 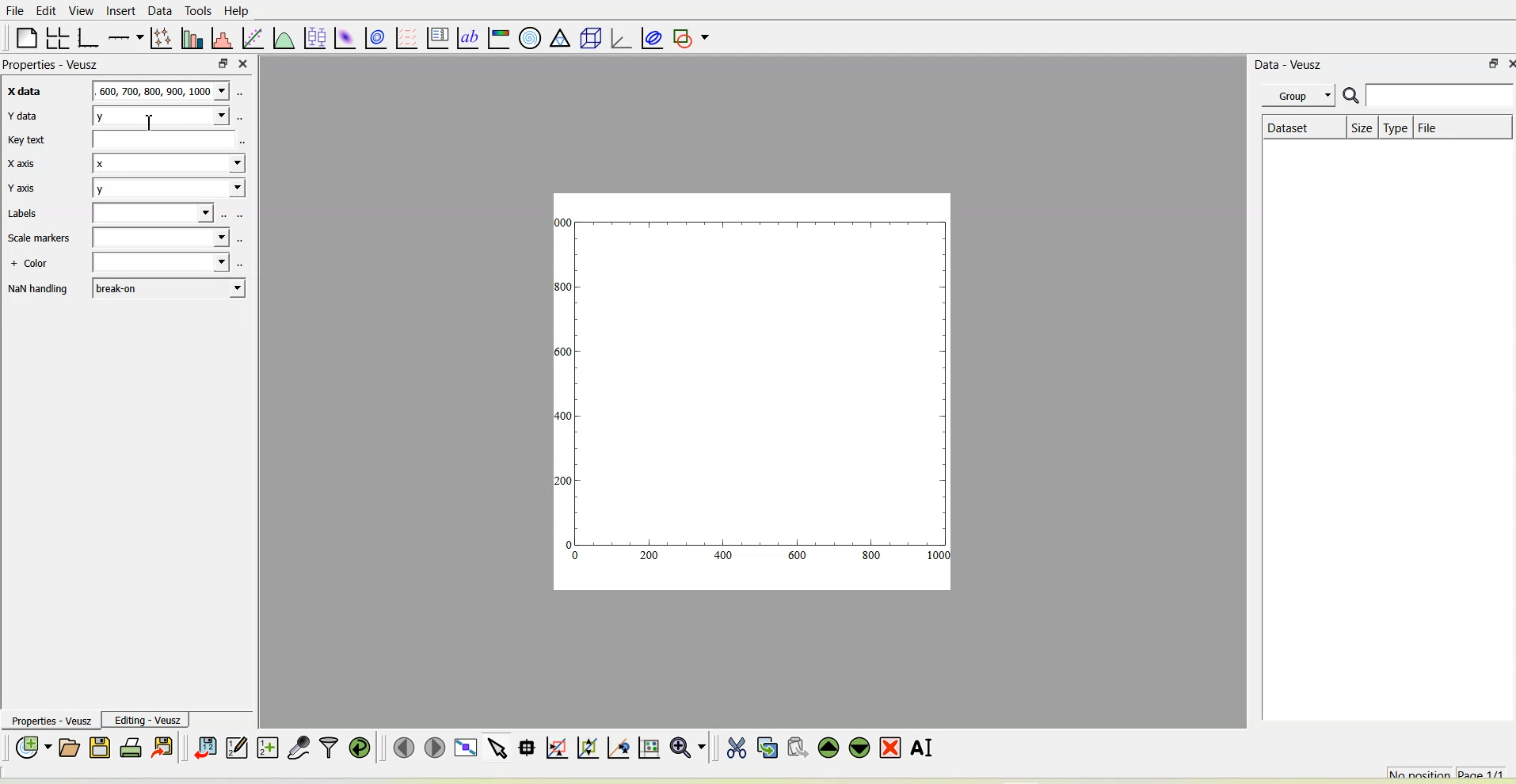 I want to click on plot key, so click(x=436, y=36).